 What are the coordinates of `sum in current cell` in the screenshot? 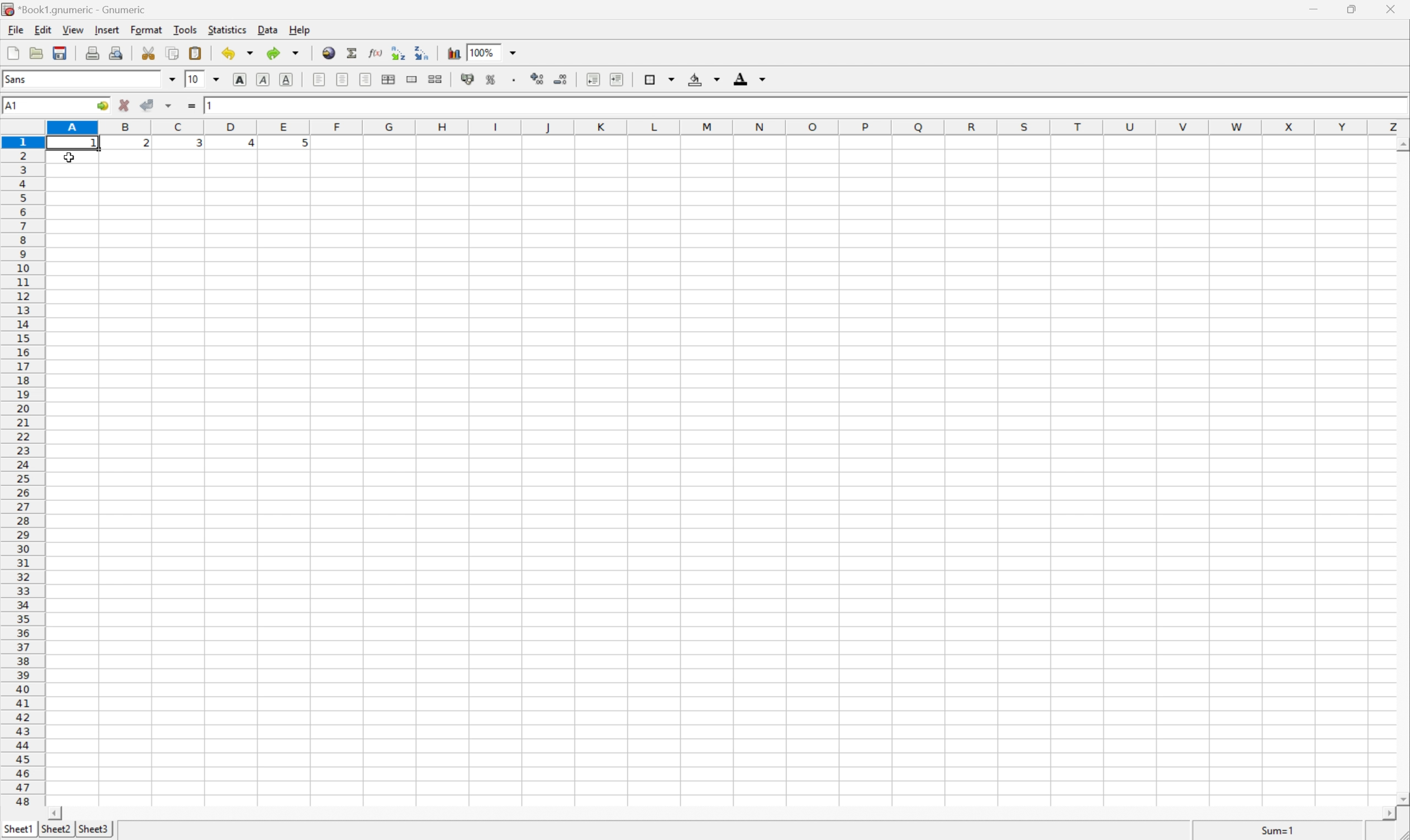 It's located at (354, 53).